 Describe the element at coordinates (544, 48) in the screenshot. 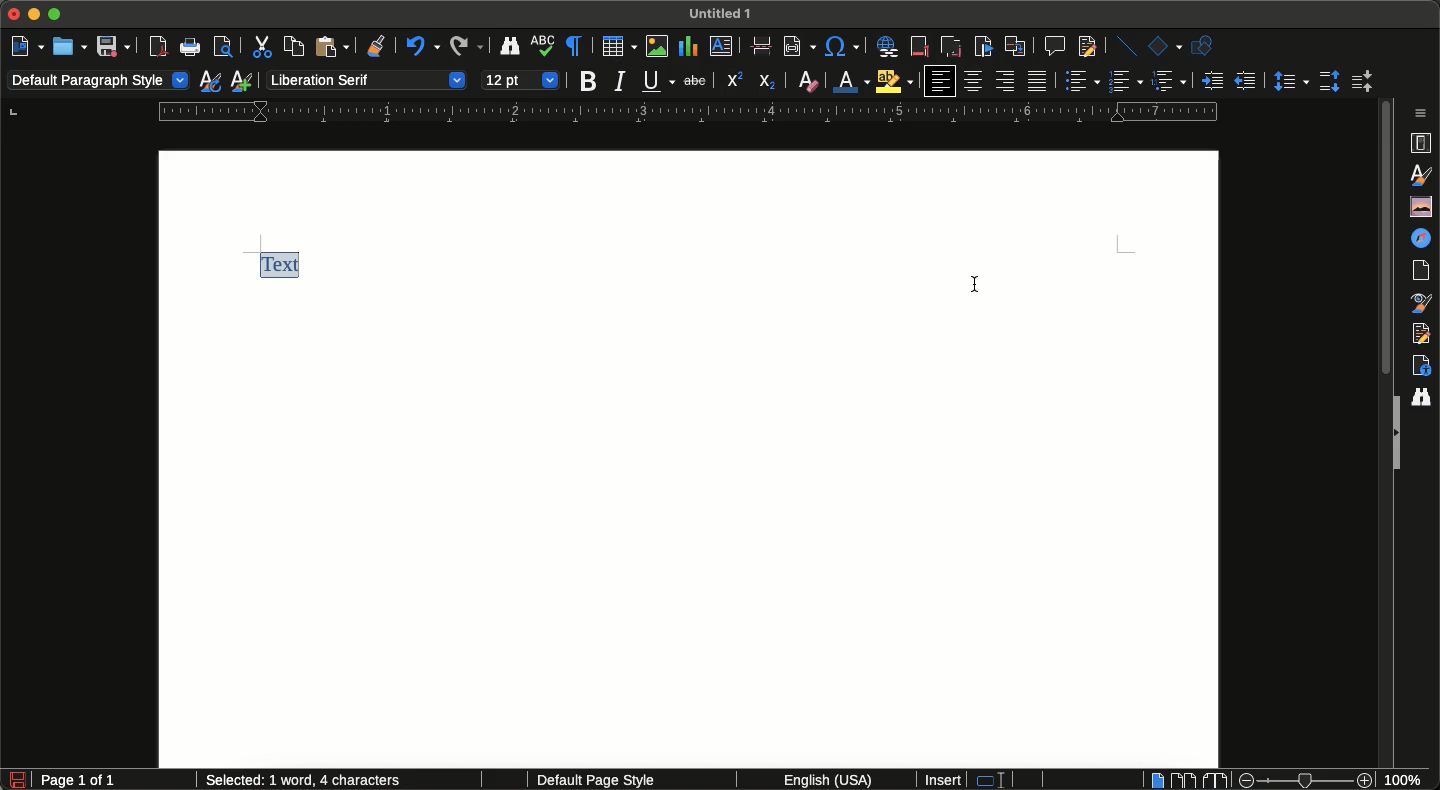

I see `Spelling` at that location.